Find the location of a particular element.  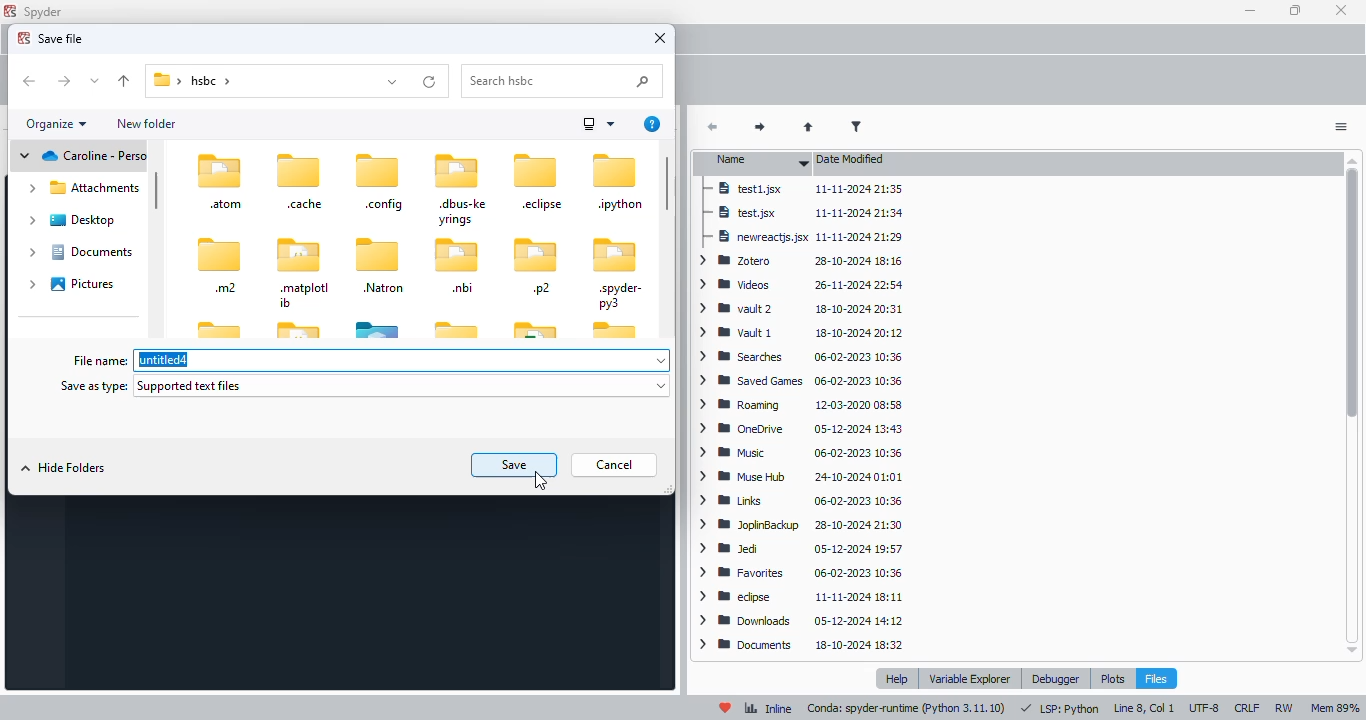

current folder is located at coordinates (249, 82).